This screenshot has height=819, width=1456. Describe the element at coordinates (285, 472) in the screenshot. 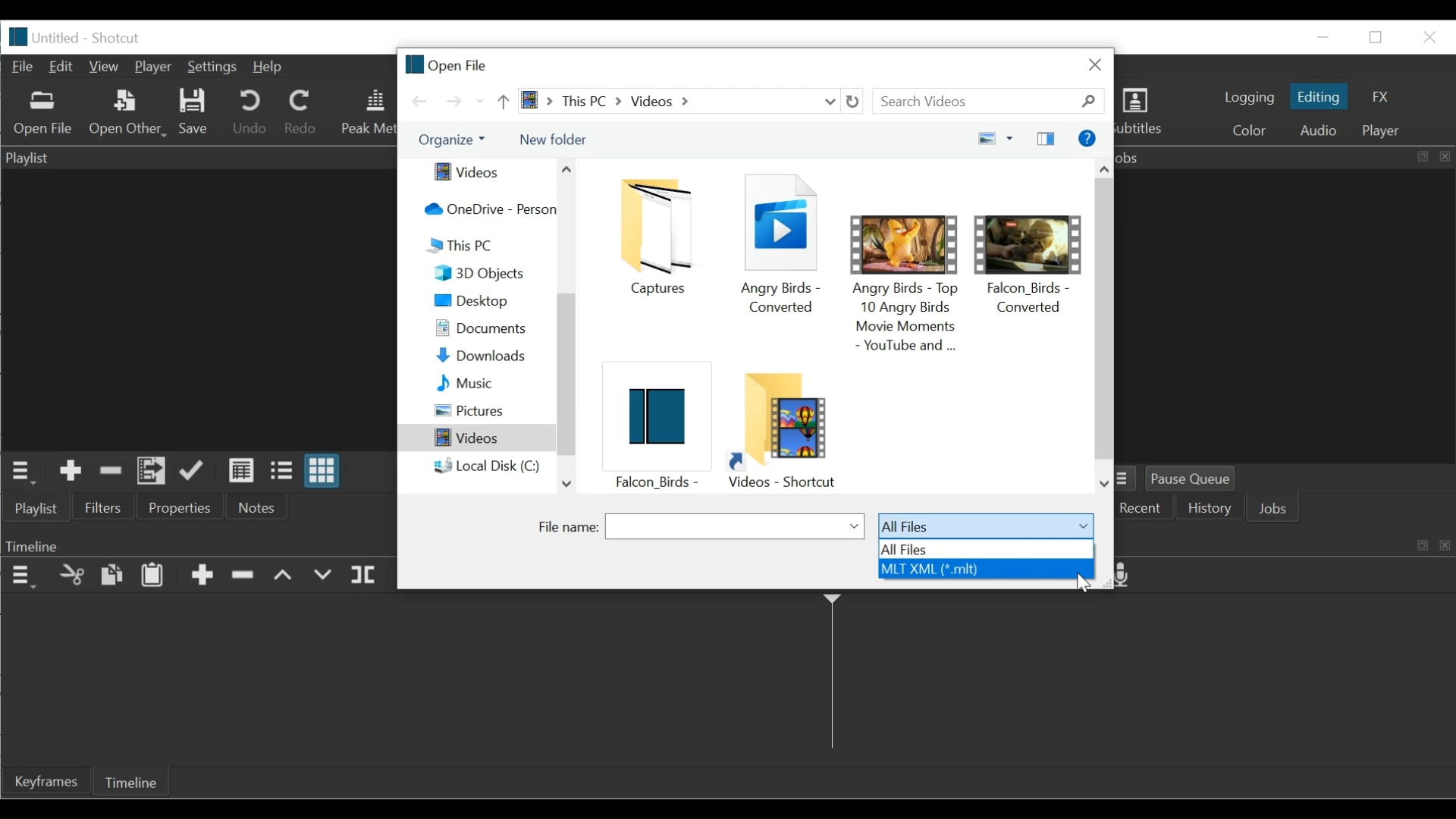

I see `View as files` at that location.